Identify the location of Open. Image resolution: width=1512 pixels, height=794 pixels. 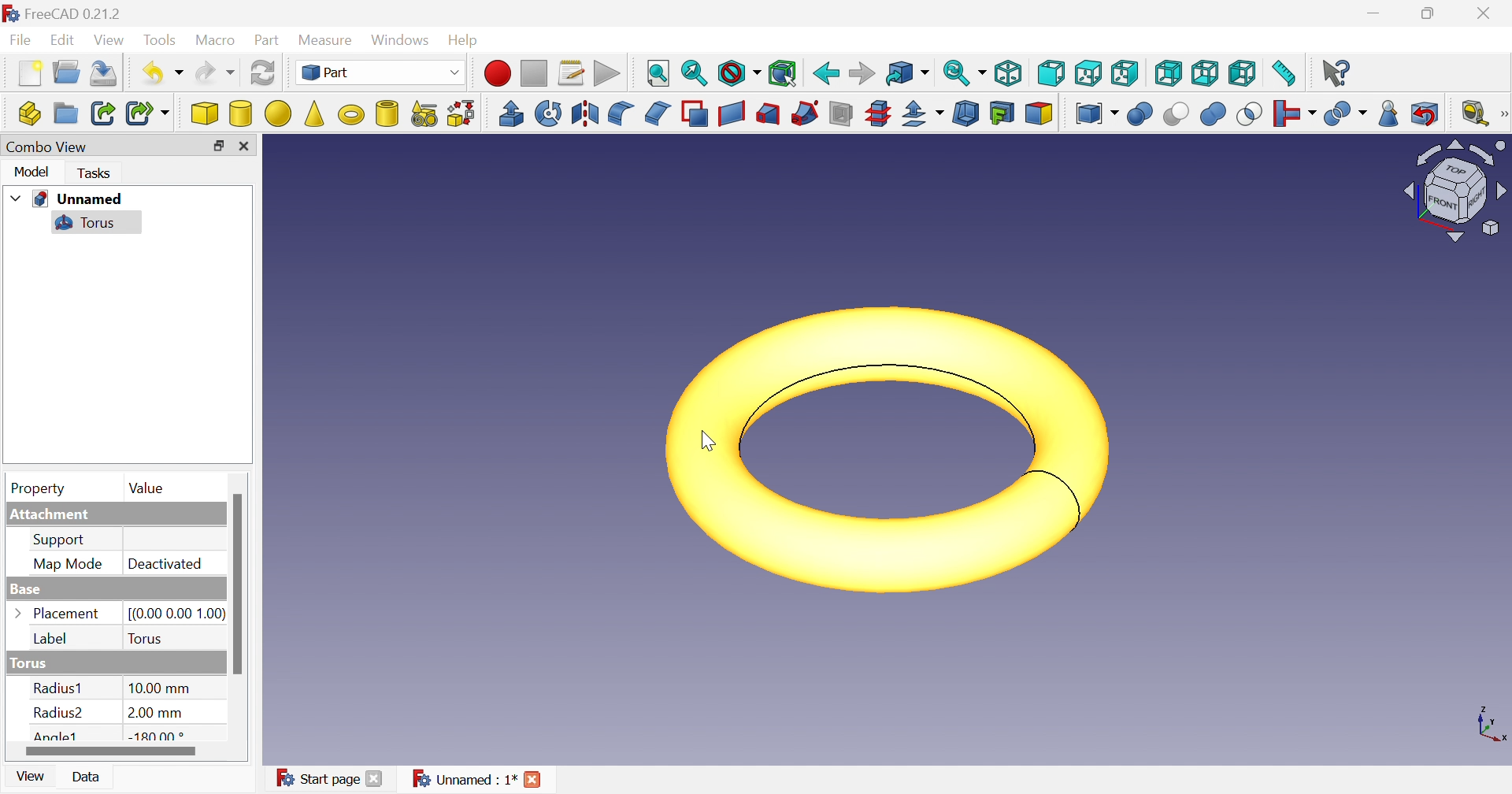
(68, 74).